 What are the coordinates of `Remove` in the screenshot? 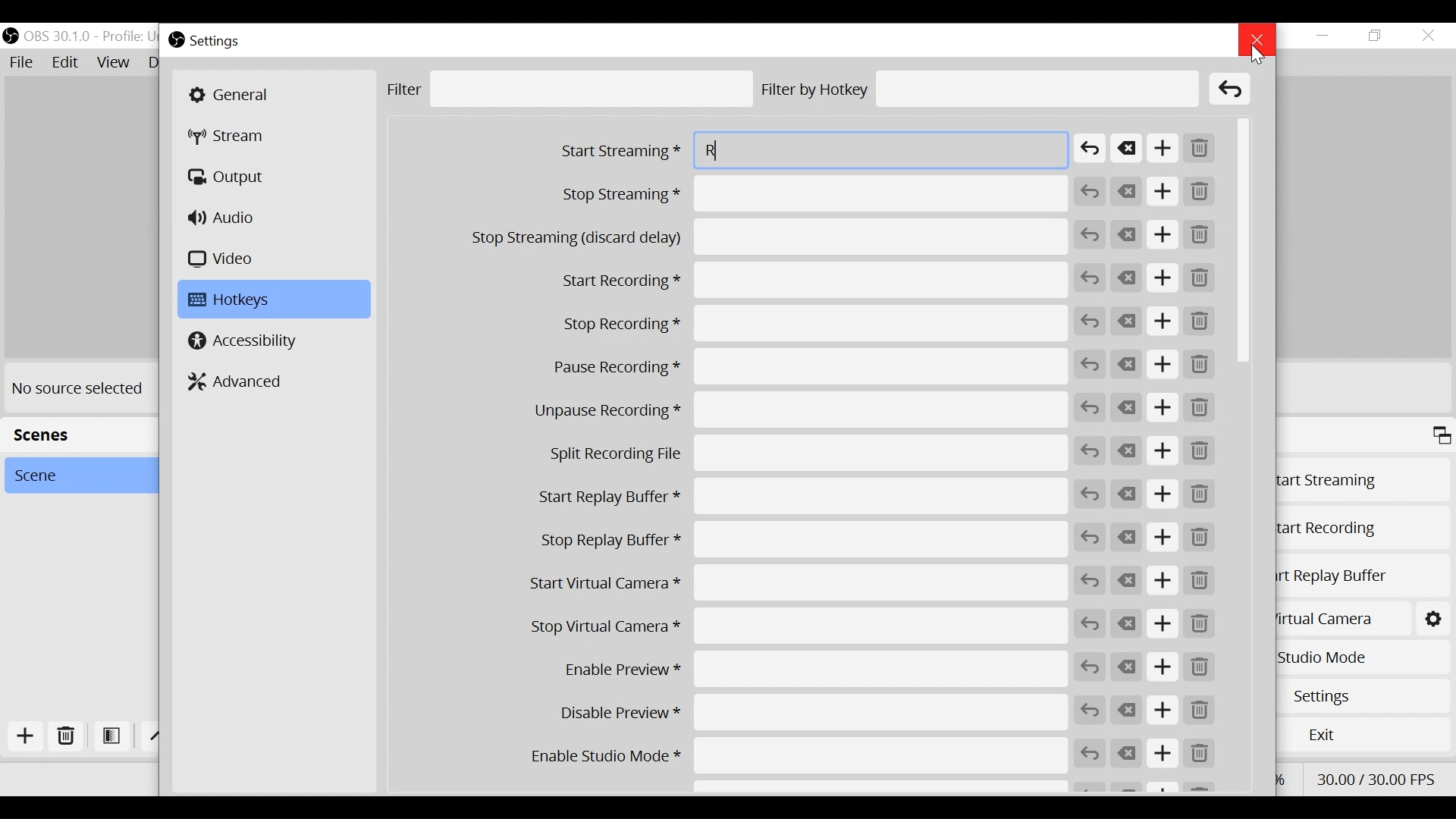 It's located at (1200, 582).